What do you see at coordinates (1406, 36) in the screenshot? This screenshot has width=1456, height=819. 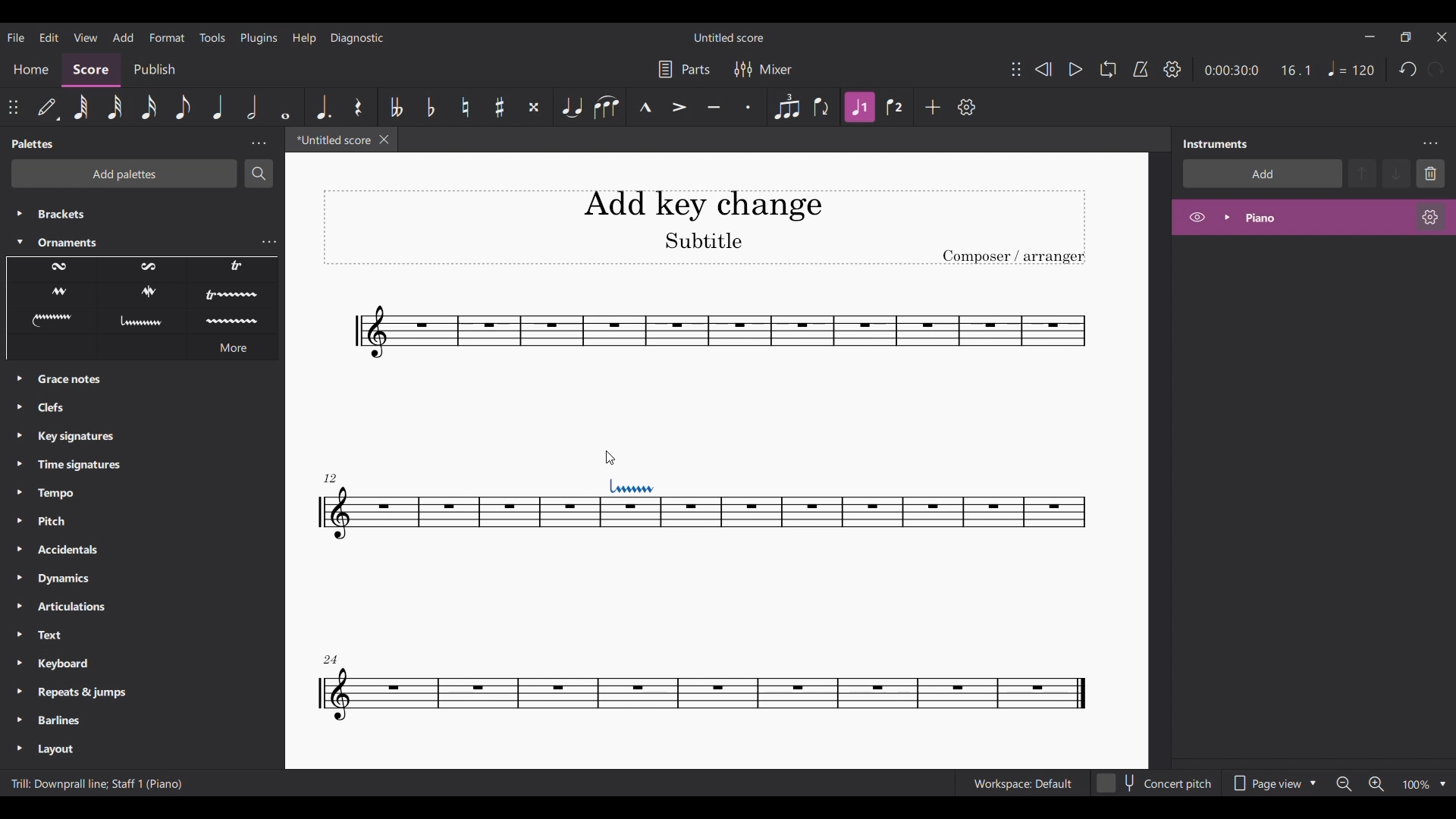 I see `Show interface in a smaller tab` at bounding box center [1406, 36].